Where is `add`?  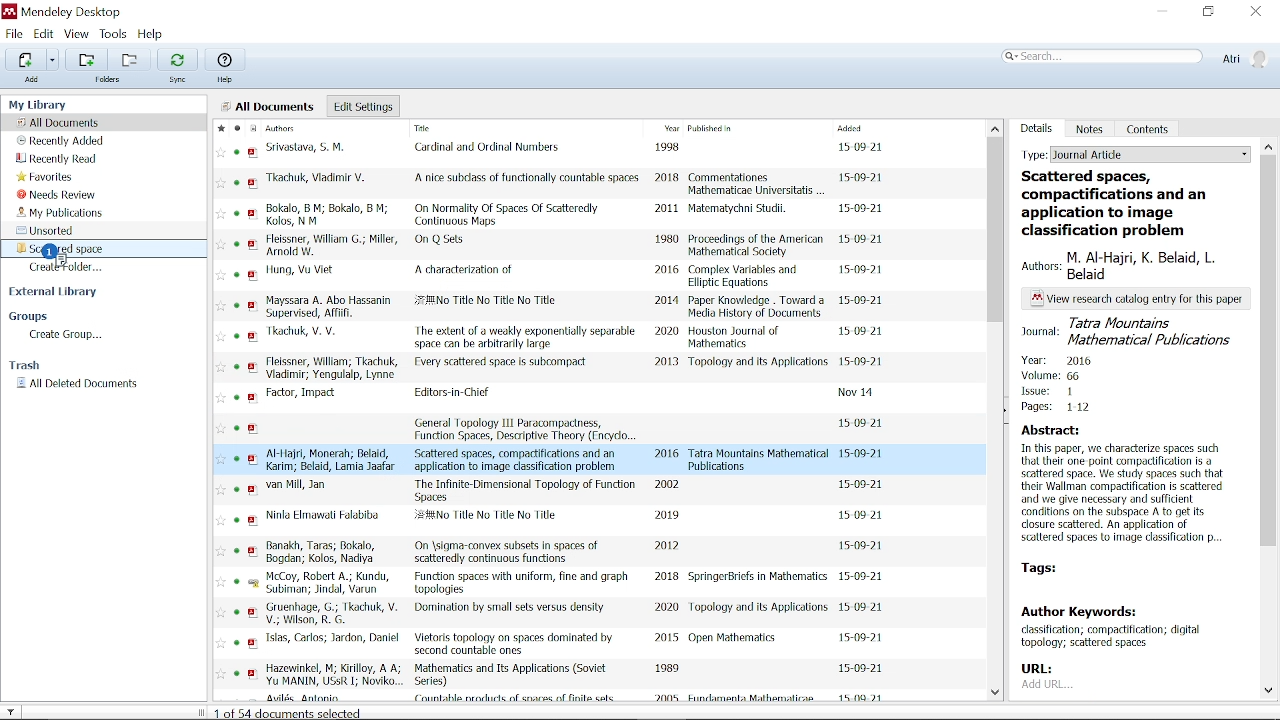 add is located at coordinates (32, 80).